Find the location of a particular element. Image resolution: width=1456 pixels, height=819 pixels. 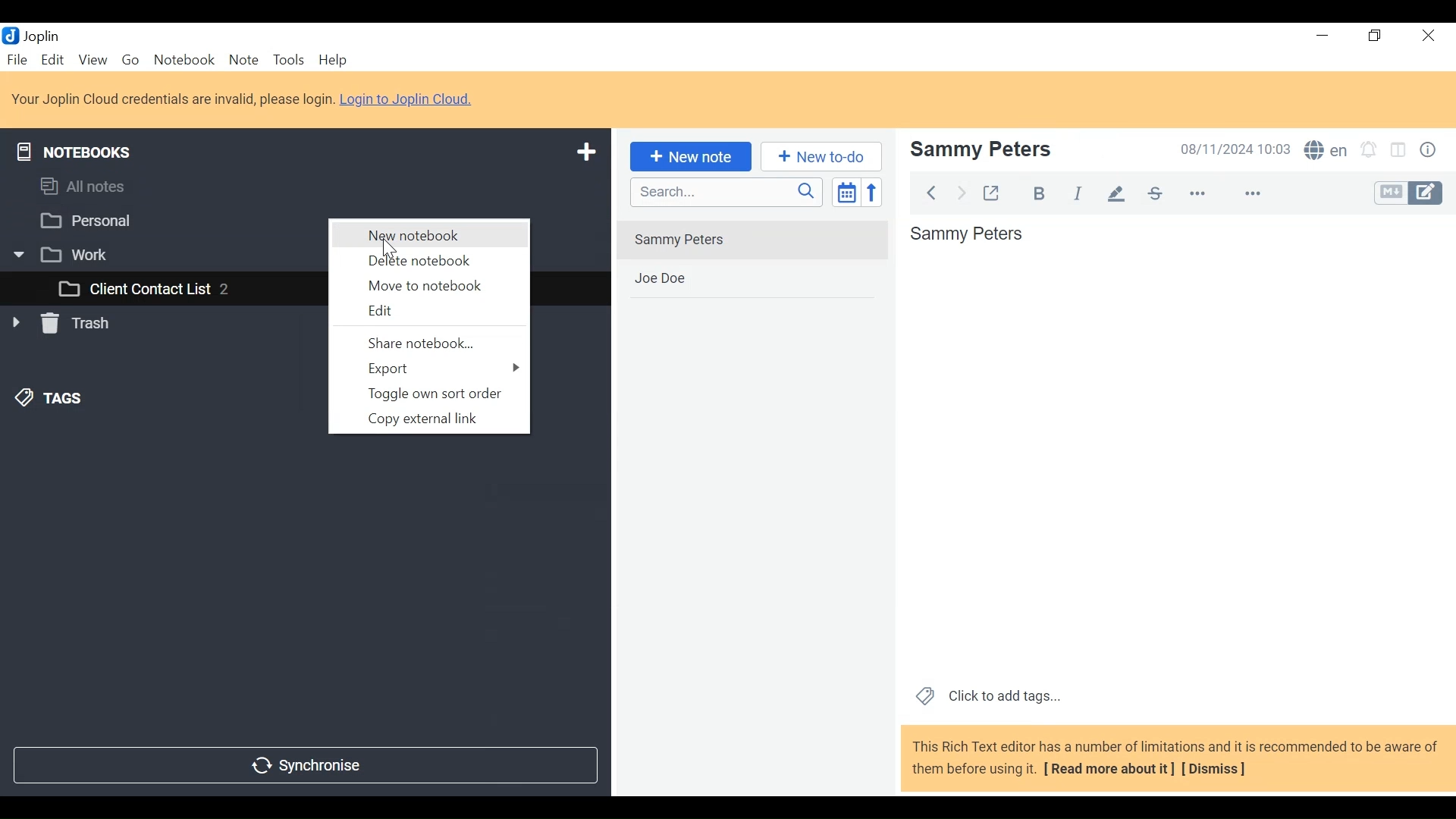

Toggle Editor is located at coordinates (1407, 193).